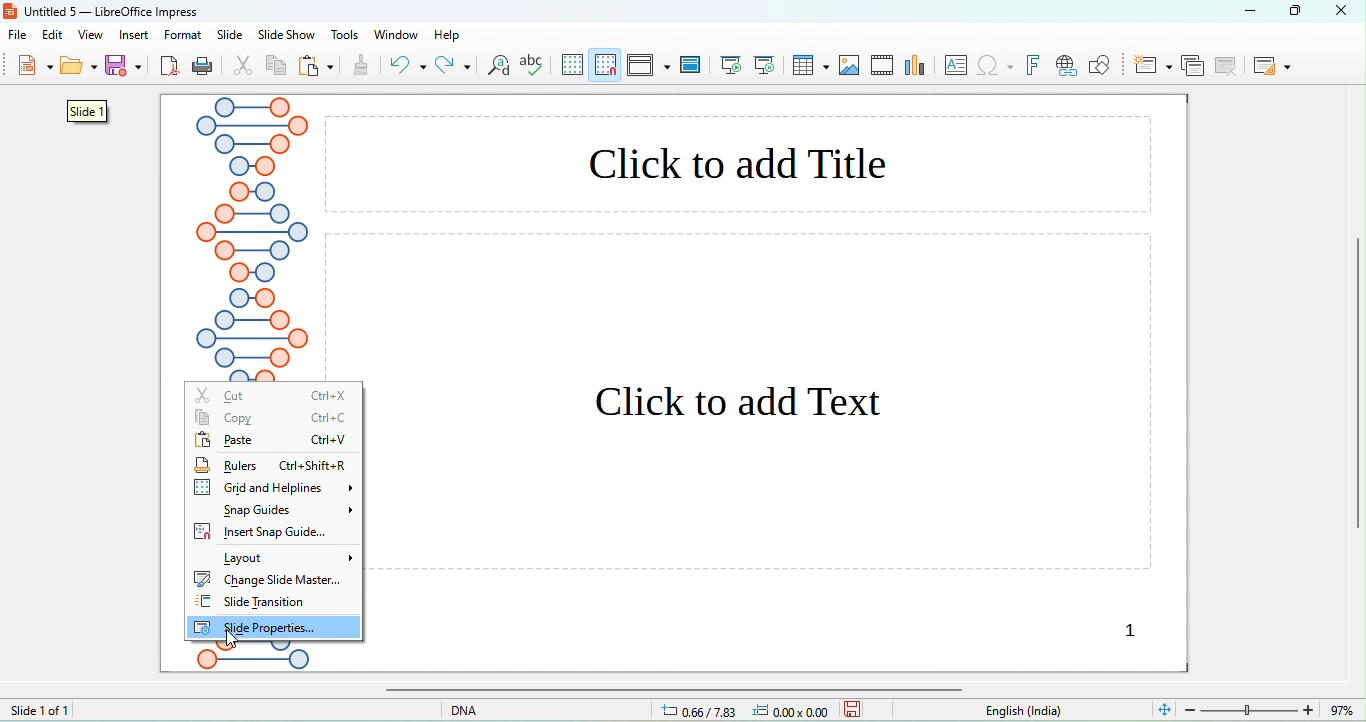 The width and height of the screenshot is (1366, 722). I want to click on DNA theme, so click(252, 238).